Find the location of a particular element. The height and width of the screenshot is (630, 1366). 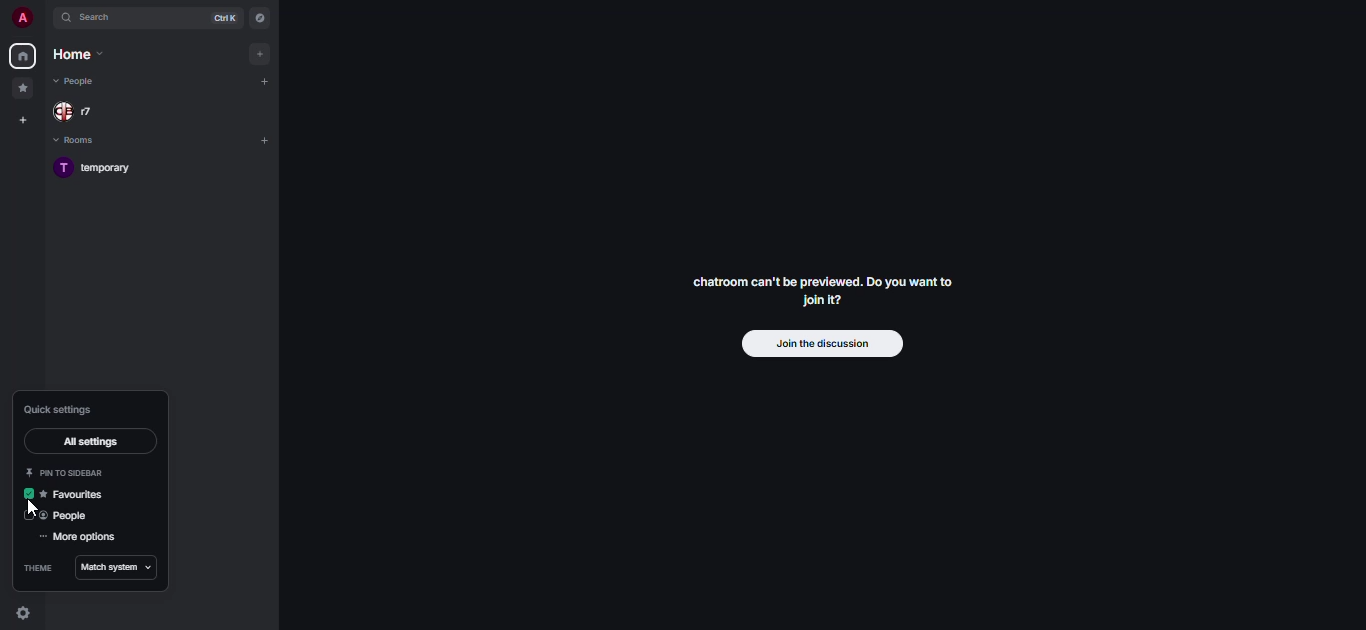

profile is located at coordinates (22, 17).